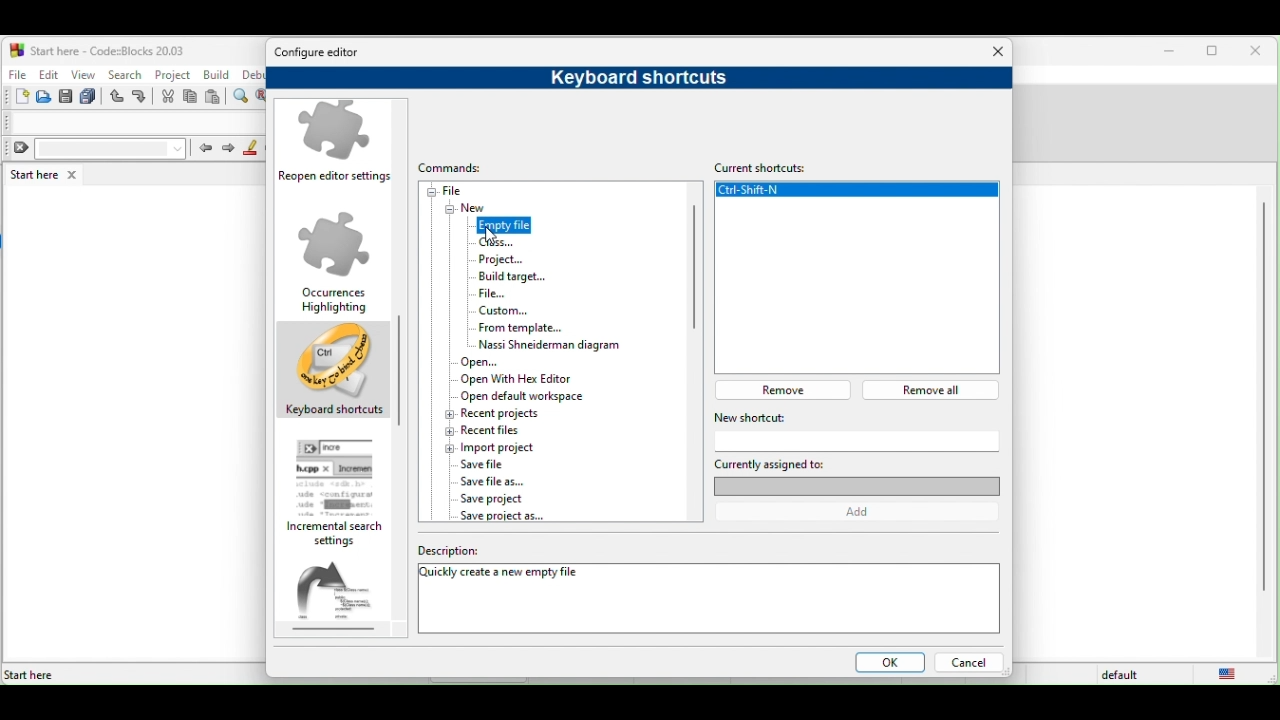 The height and width of the screenshot is (720, 1280). What do you see at coordinates (1260, 52) in the screenshot?
I see `close` at bounding box center [1260, 52].